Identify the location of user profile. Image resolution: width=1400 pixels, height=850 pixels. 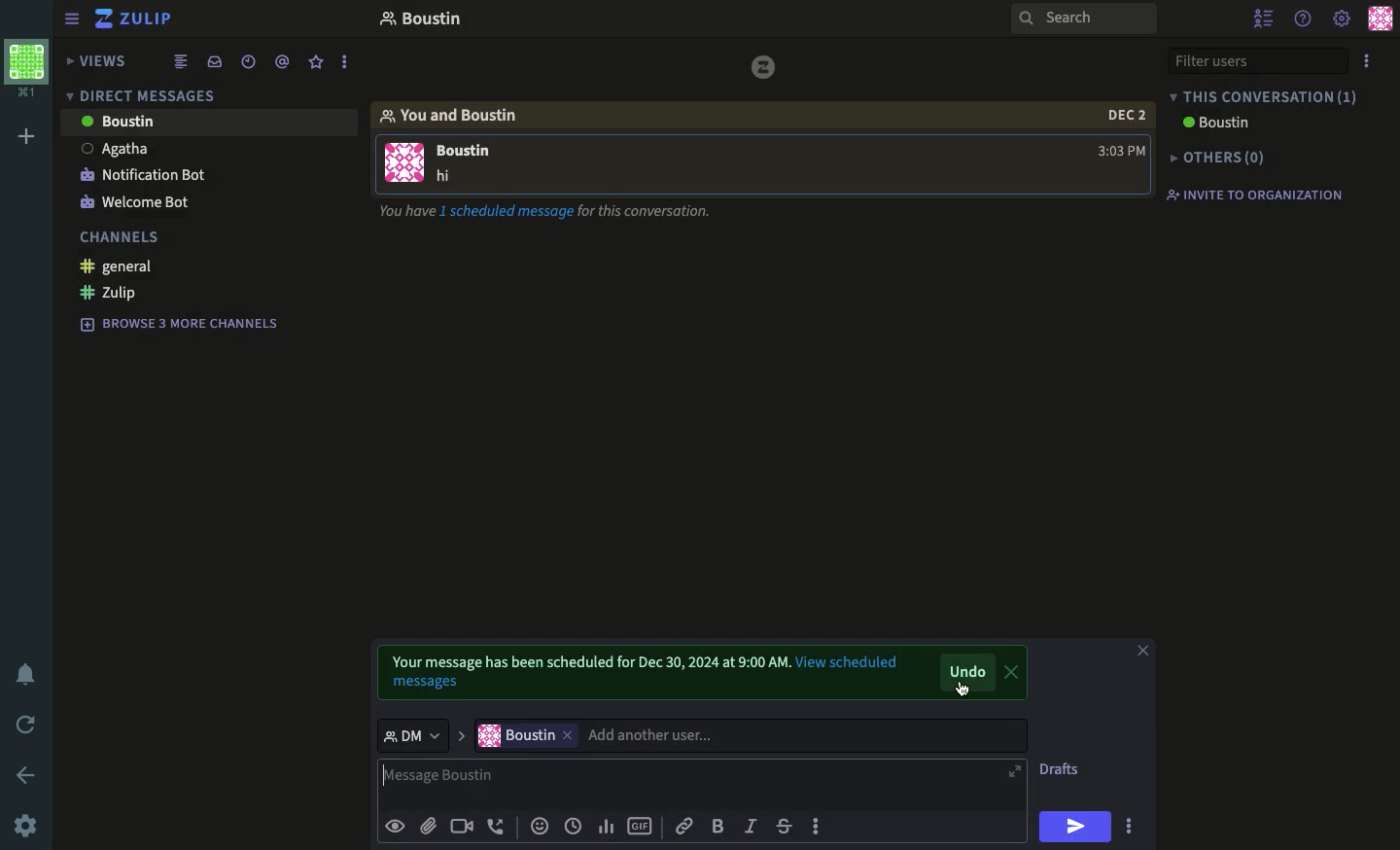
(1381, 18).